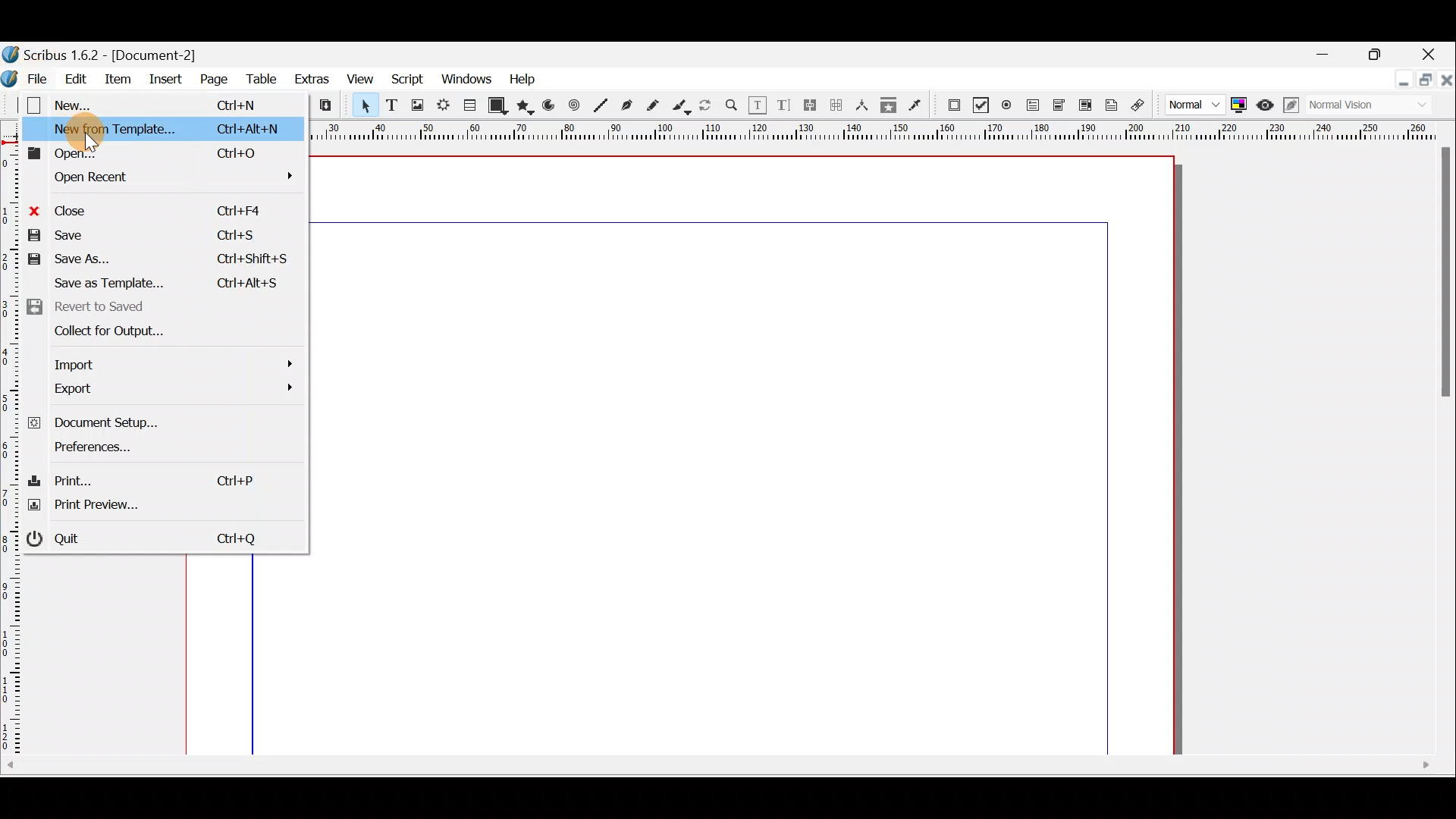 The width and height of the screenshot is (1456, 819). Describe the element at coordinates (808, 105) in the screenshot. I see `Link text frames` at that location.